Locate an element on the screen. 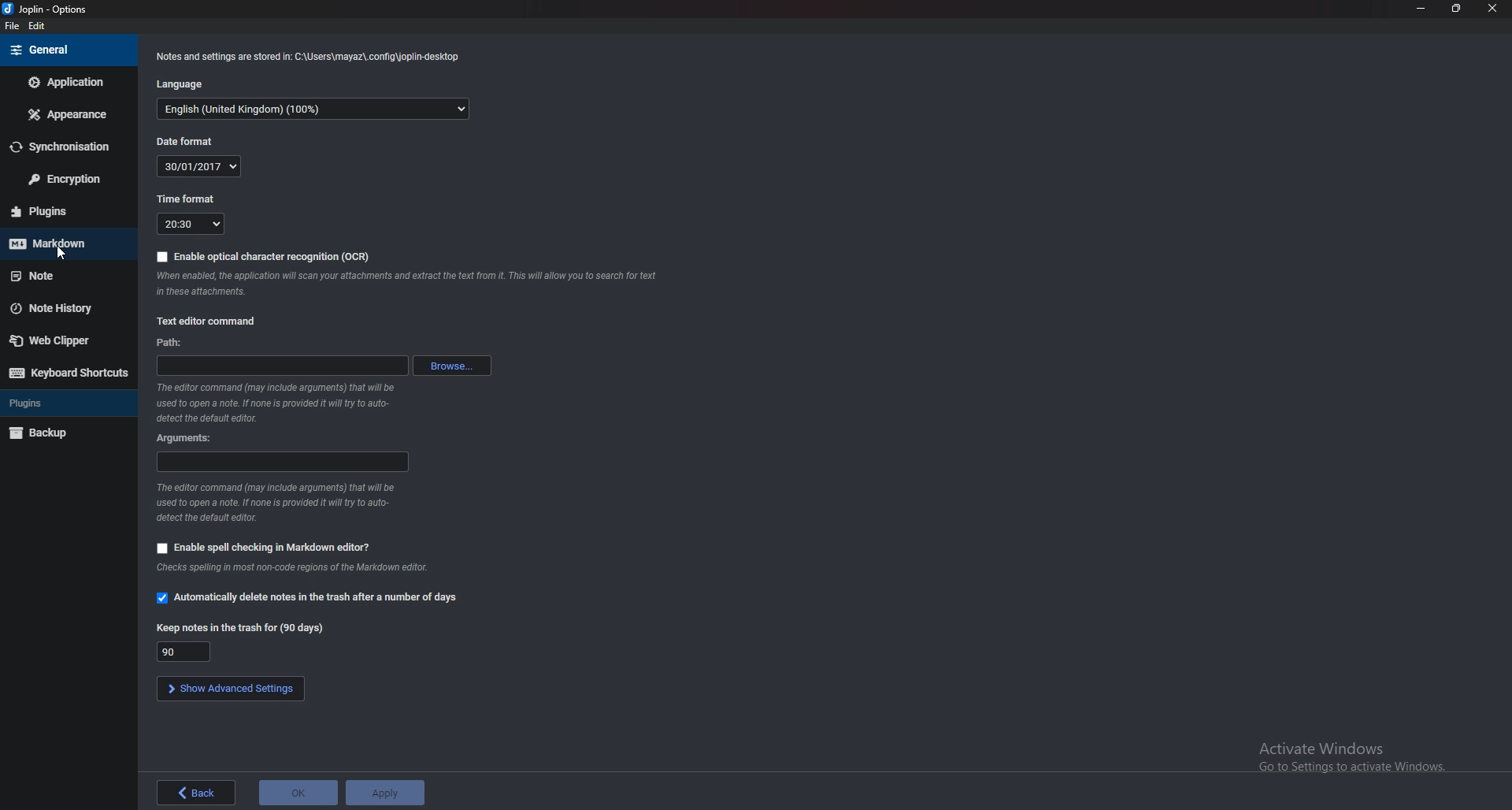 The image size is (1512, 810). info is located at coordinates (282, 403).